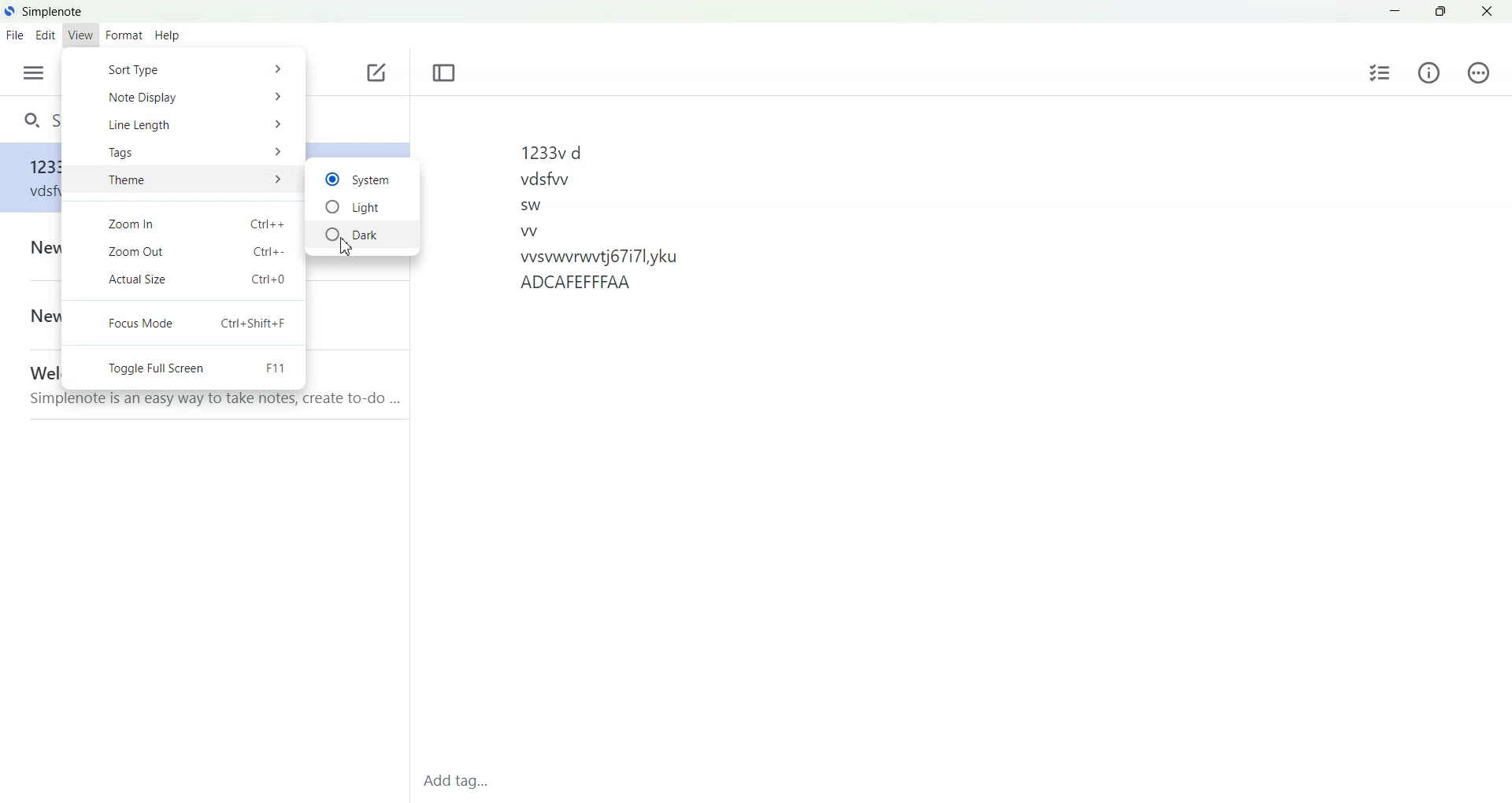  I want to click on Toggle focus mode, so click(443, 73).